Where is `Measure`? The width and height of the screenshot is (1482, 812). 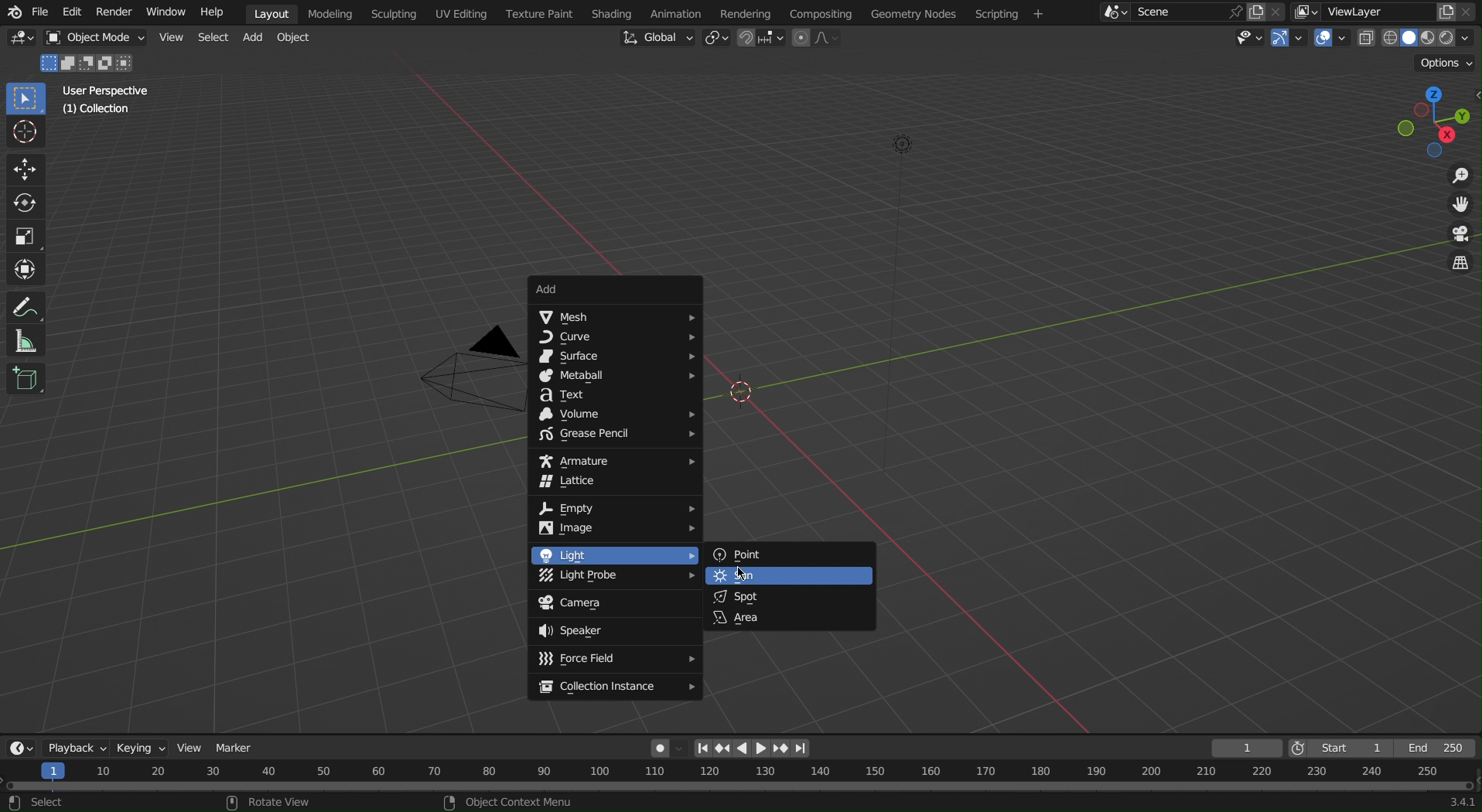
Measure is located at coordinates (29, 340).